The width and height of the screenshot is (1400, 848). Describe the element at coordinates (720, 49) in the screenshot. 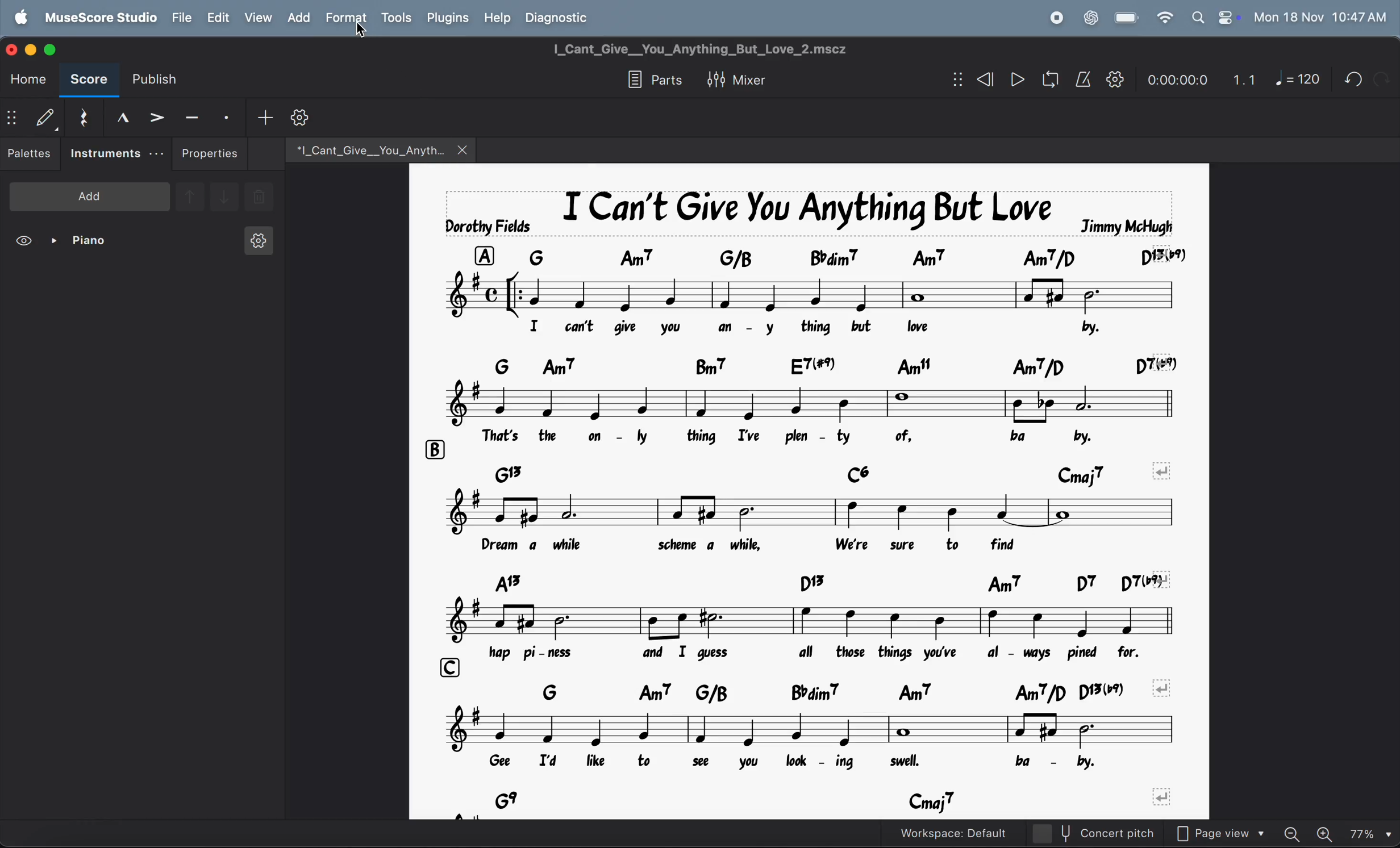

I see `song page title` at that location.